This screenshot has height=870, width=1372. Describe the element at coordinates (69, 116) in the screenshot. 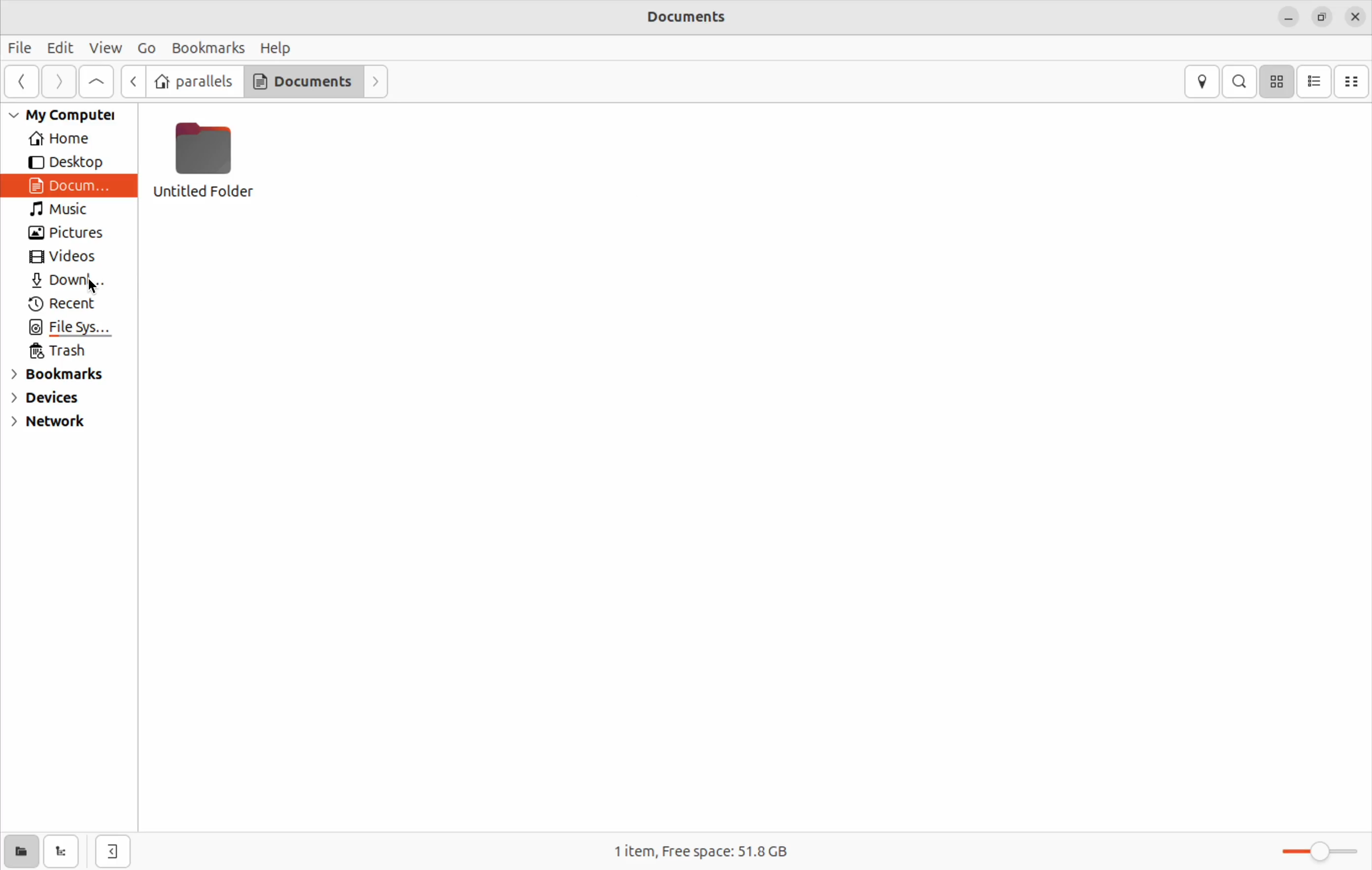

I see `My computer` at that location.